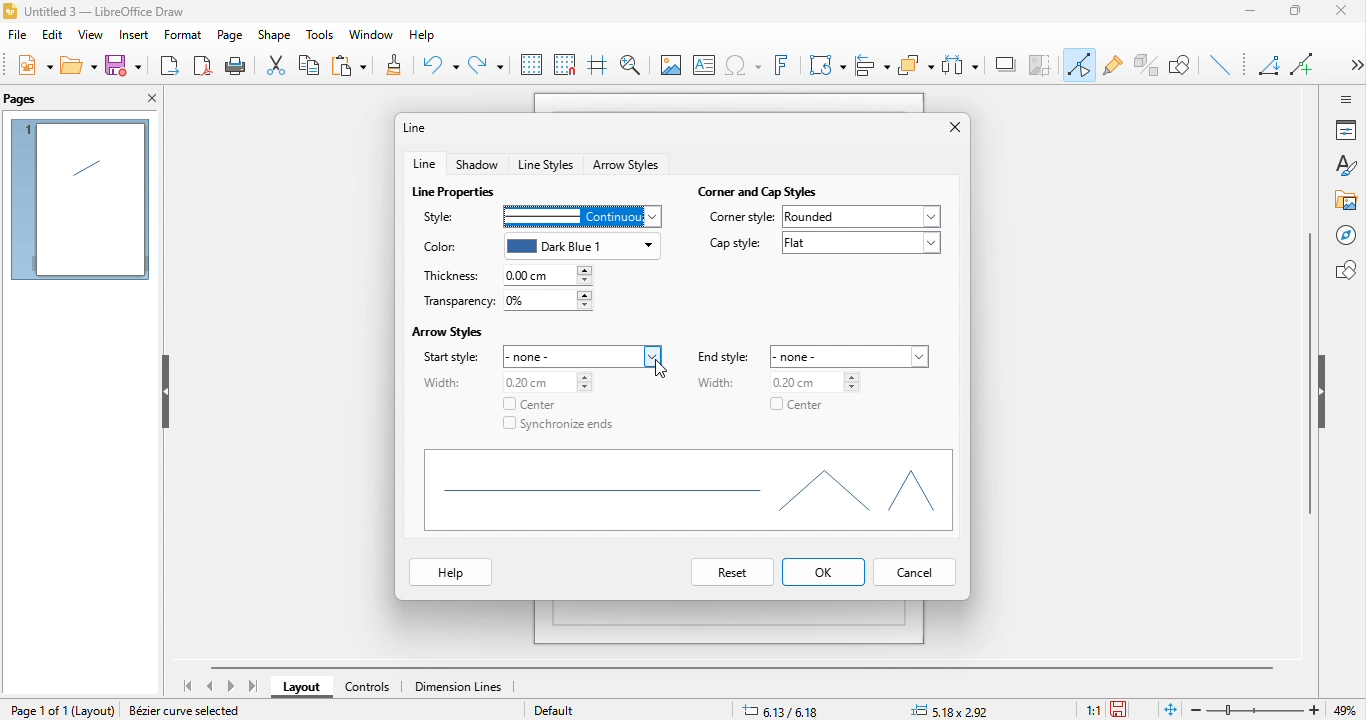 The image size is (1366, 720). What do you see at coordinates (1345, 167) in the screenshot?
I see `styles` at bounding box center [1345, 167].